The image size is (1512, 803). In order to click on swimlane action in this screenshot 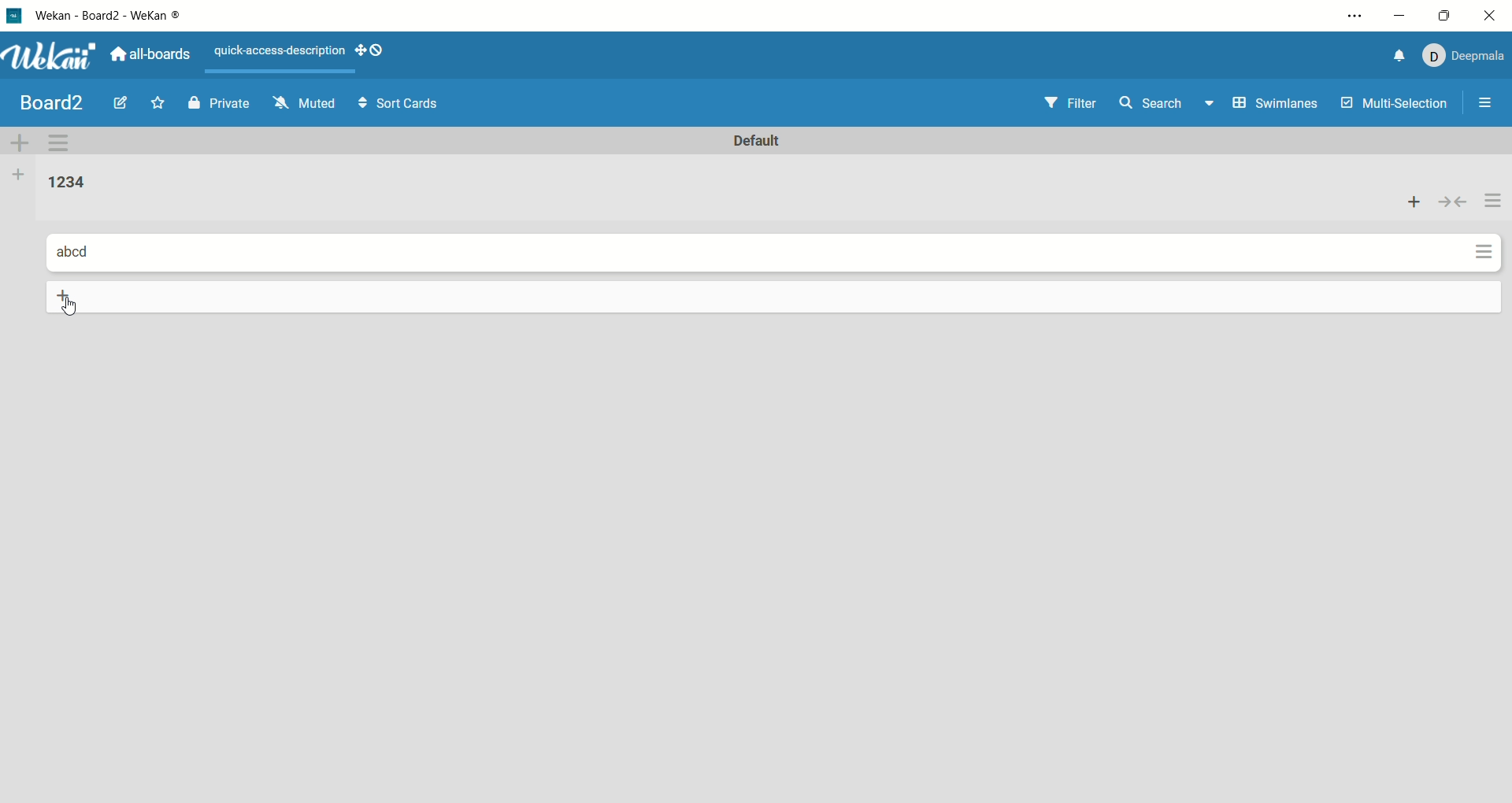, I will do `click(65, 141)`.